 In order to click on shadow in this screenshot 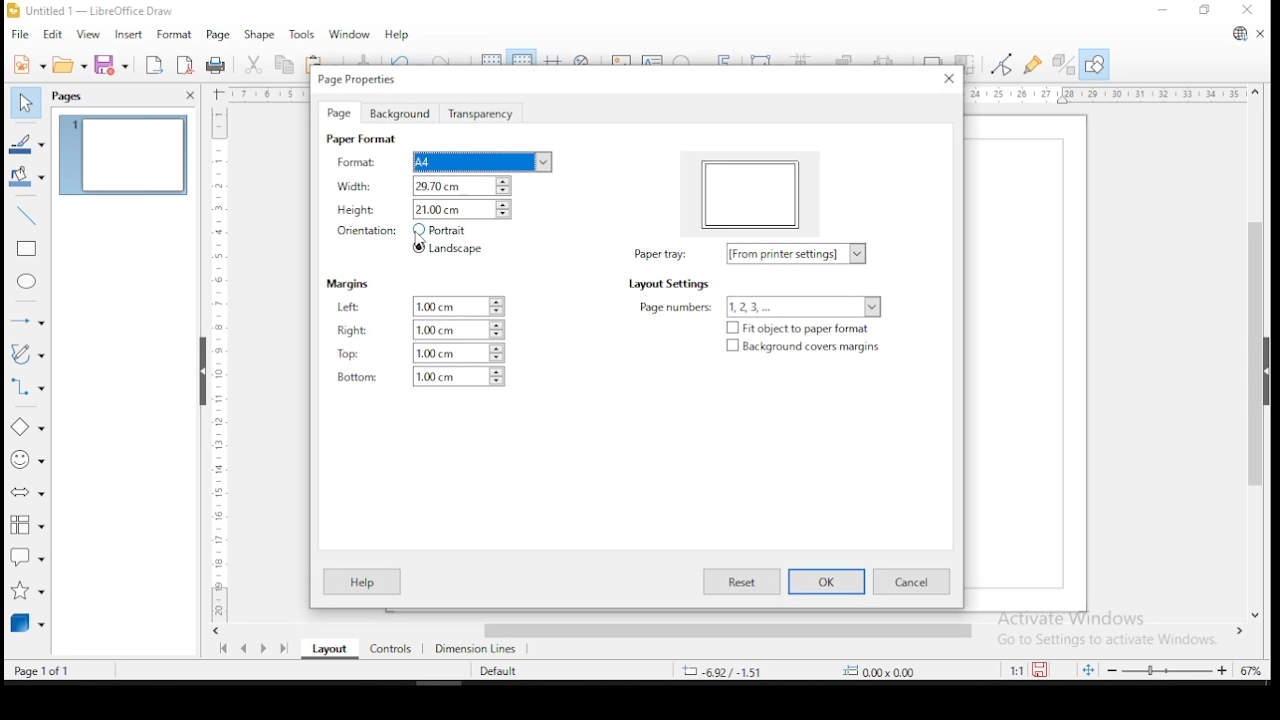, I will do `click(933, 57)`.